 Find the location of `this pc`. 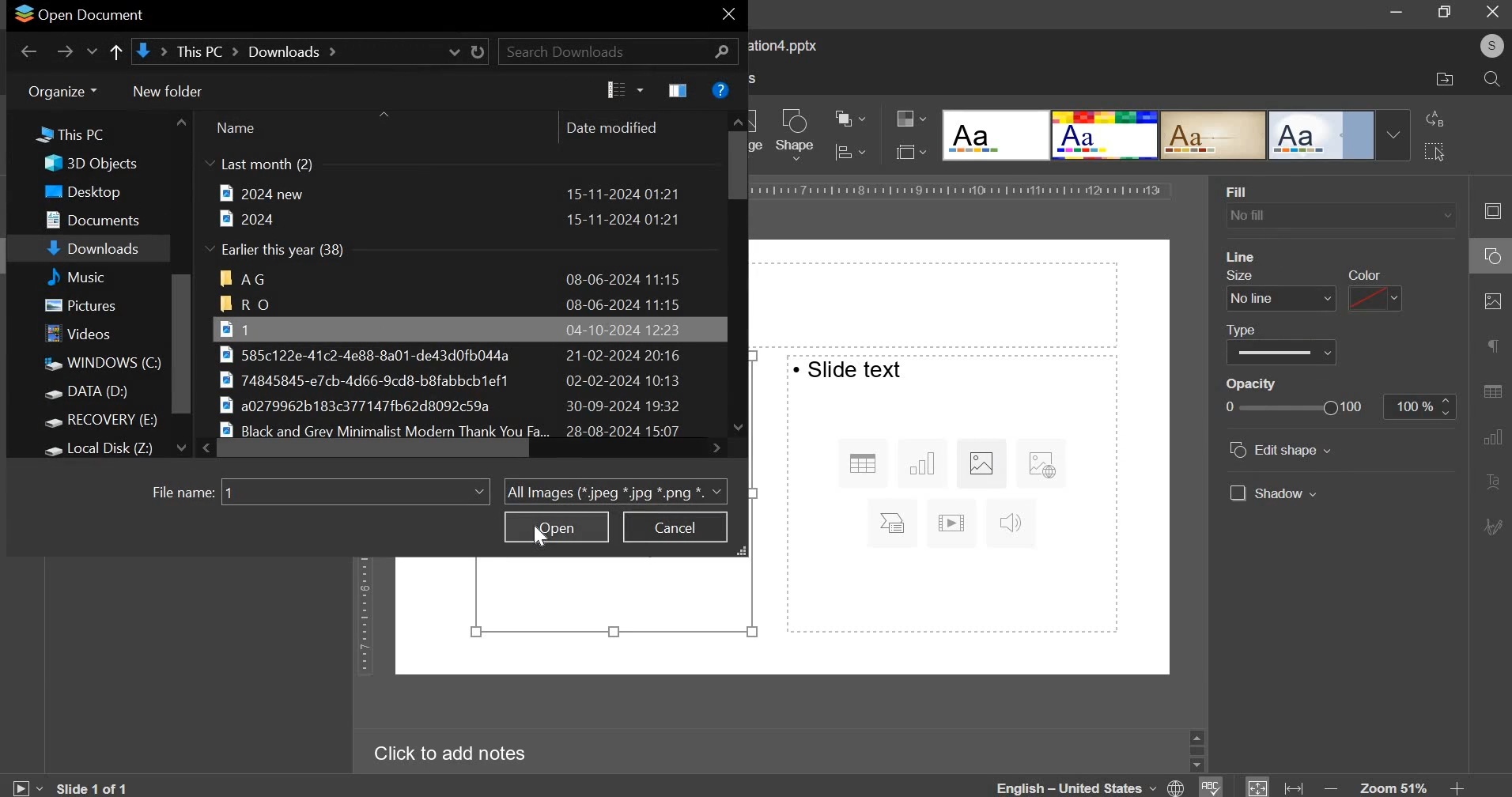

this pc is located at coordinates (62, 137).